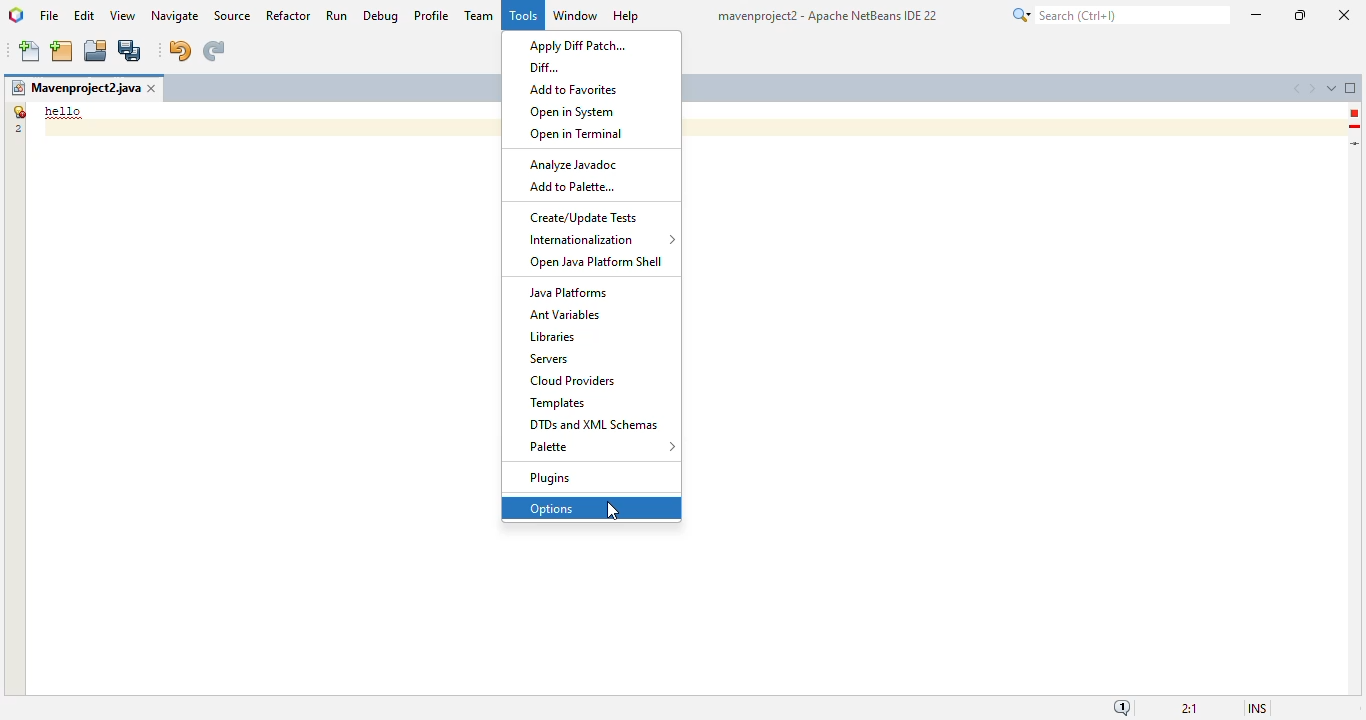 The height and width of the screenshot is (720, 1366). What do you see at coordinates (1118, 15) in the screenshot?
I see `search` at bounding box center [1118, 15].